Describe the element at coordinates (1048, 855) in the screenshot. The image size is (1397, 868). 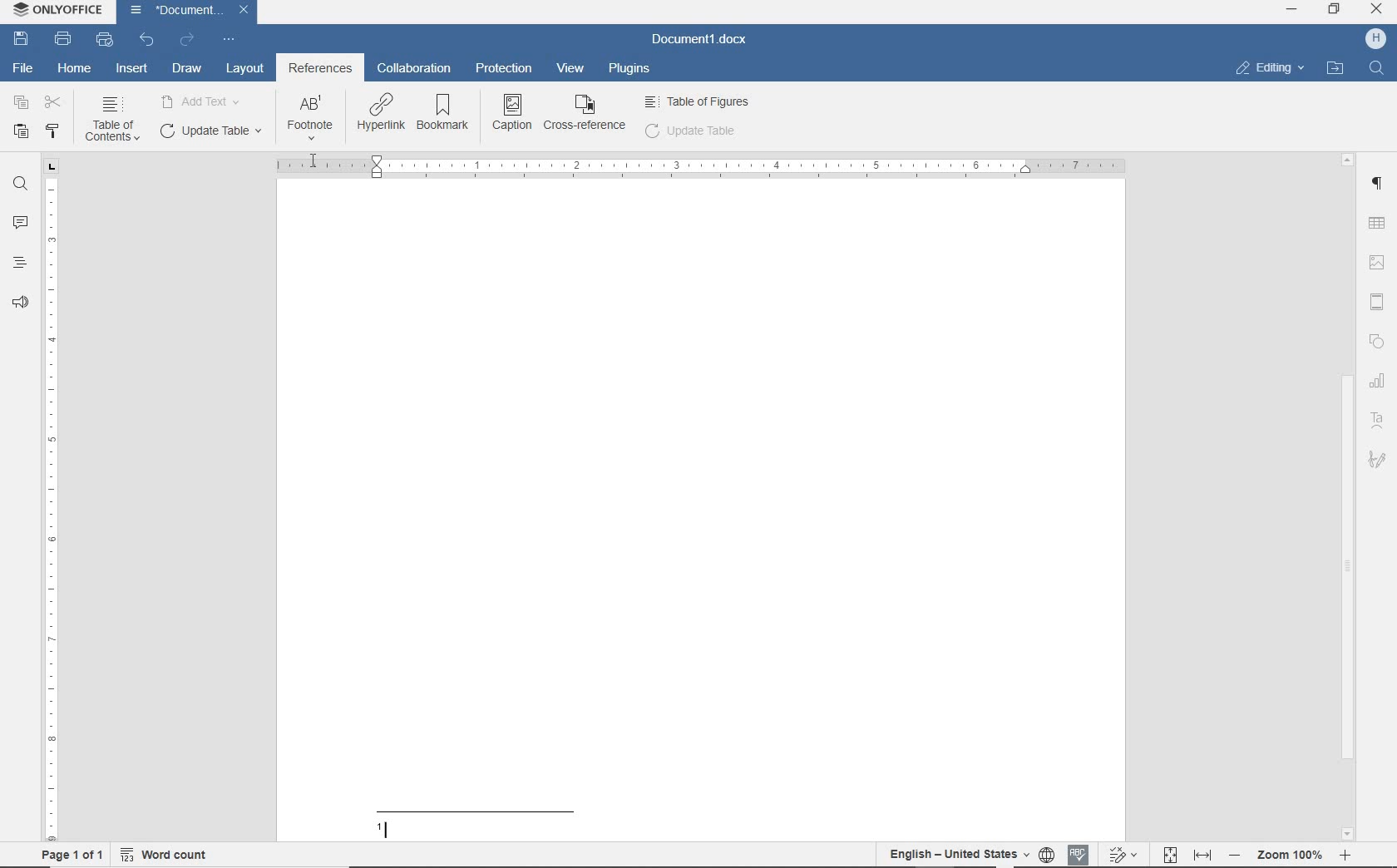
I see `language` at that location.